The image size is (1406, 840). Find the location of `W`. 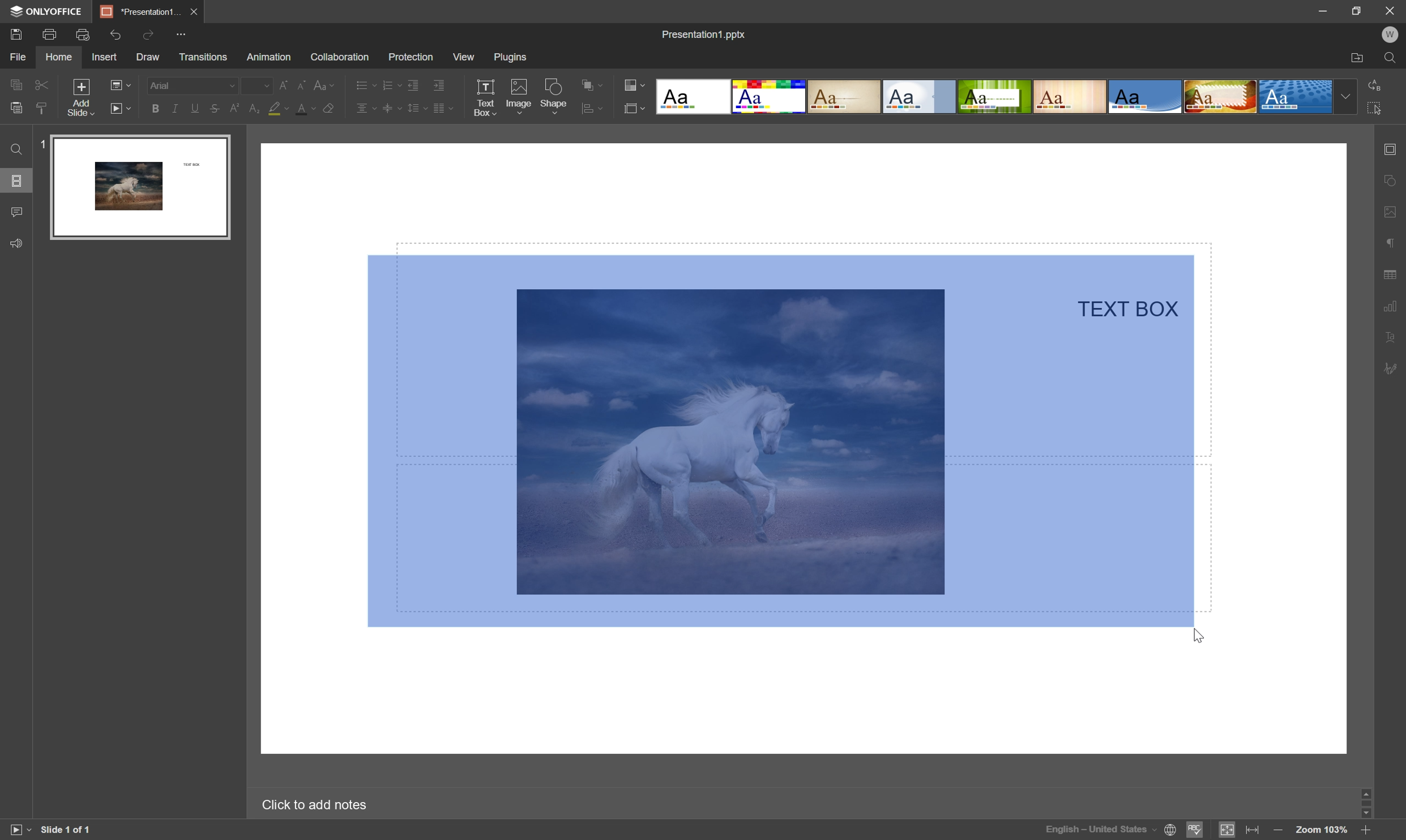

W is located at coordinates (1390, 35).